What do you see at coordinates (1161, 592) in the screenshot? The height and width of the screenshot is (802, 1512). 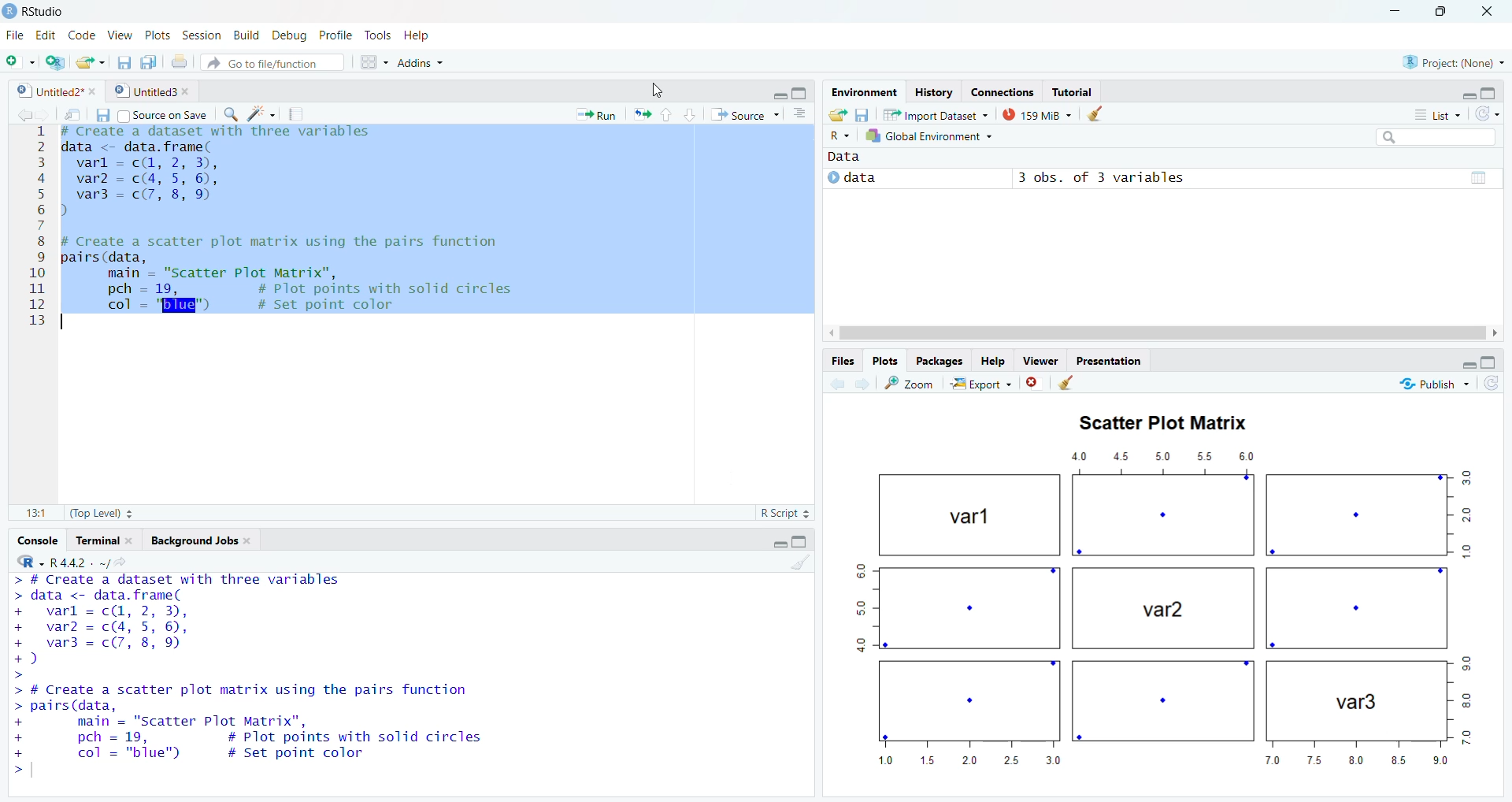 I see `Result image` at bounding box center [1161, 592].